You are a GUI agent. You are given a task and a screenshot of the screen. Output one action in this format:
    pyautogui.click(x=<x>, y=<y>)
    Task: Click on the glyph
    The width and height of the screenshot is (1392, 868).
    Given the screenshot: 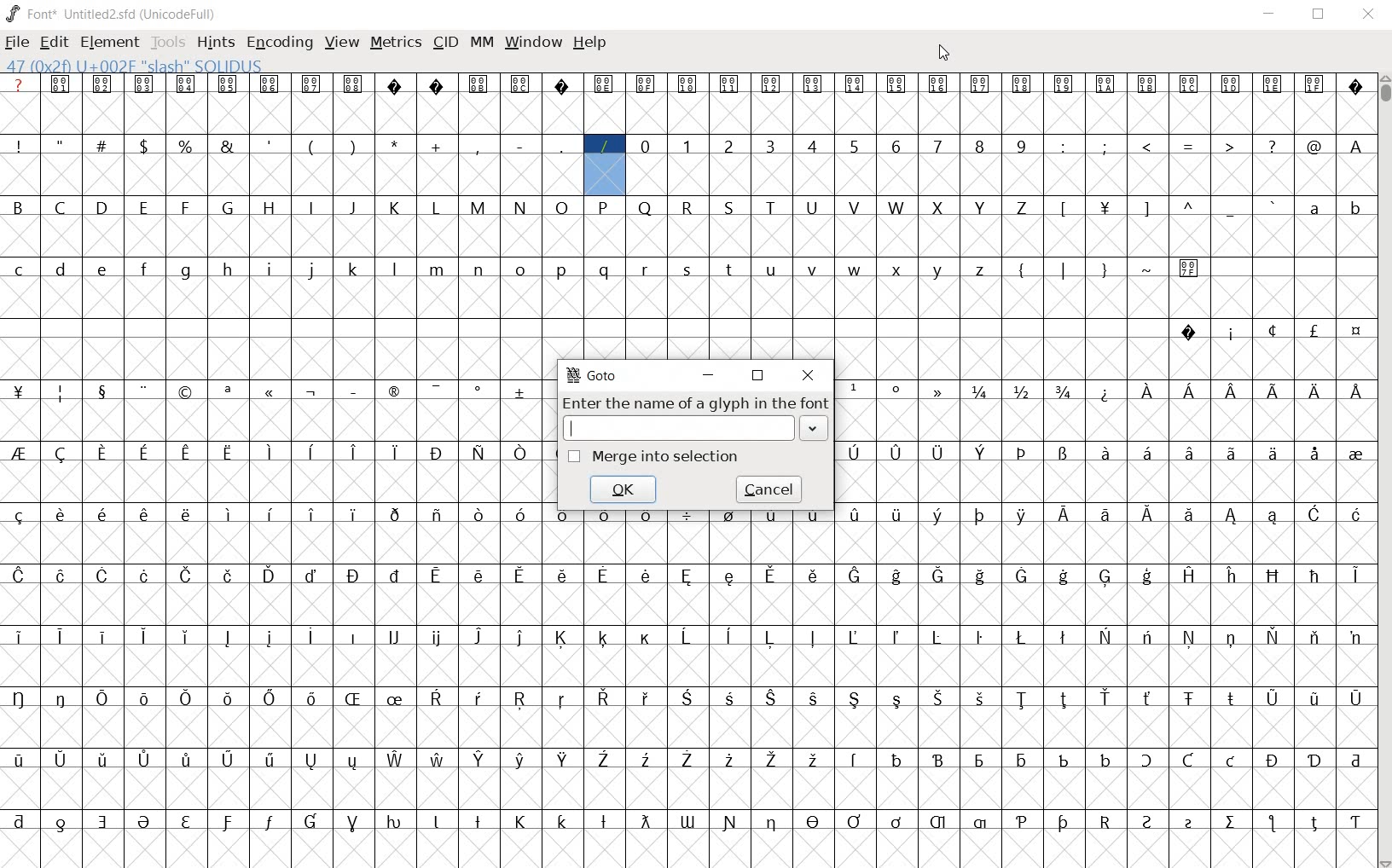 What is the action you would take?
    pyautogui.click(x=1189, y=637)
    